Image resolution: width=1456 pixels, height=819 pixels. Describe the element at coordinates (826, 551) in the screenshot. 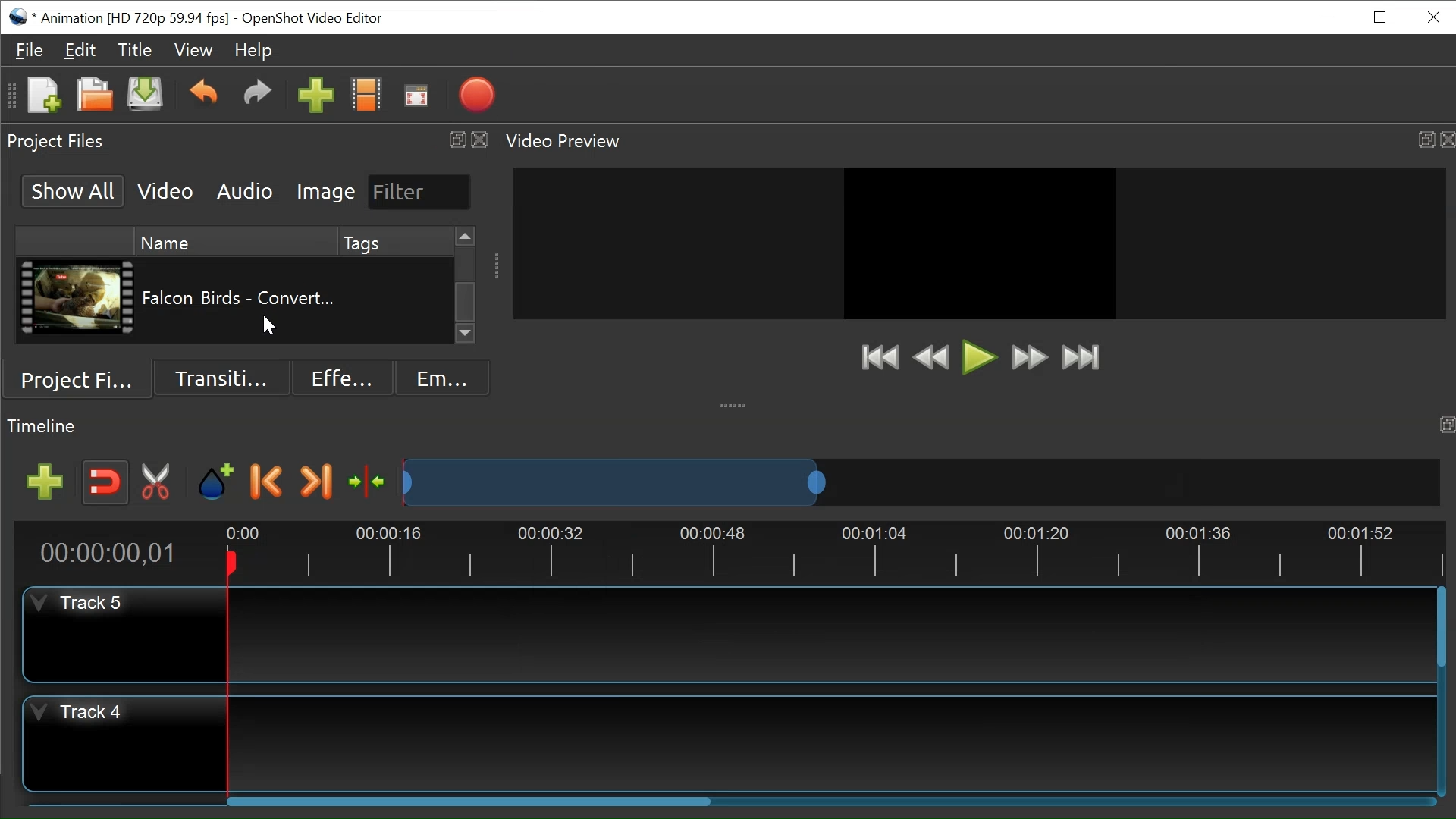

I see `Timeline` at that location.